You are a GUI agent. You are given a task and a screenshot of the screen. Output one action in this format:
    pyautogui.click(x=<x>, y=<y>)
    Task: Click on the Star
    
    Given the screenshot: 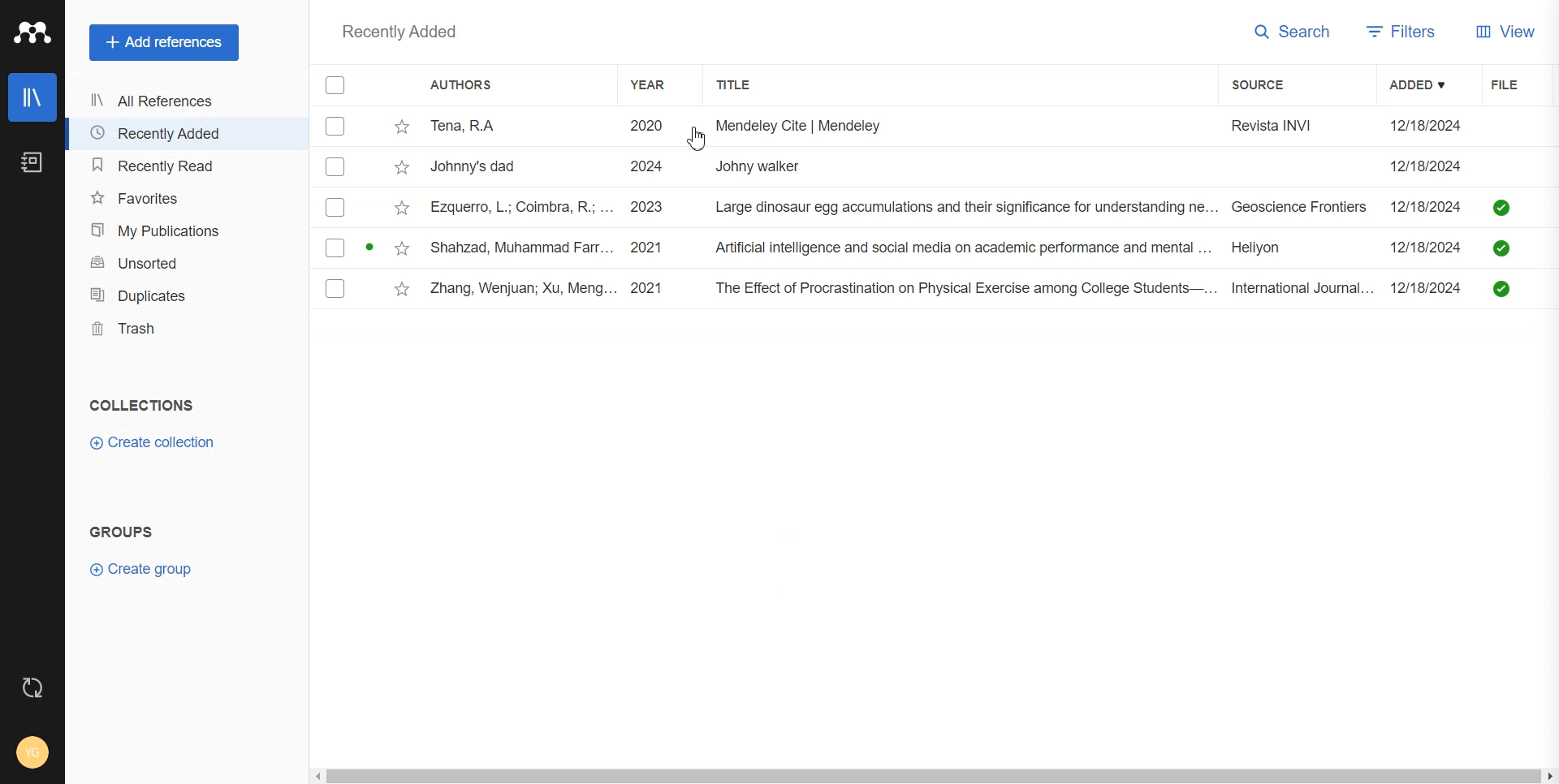 What is the action you would take?
    pyautogui.click(x=402, y=207)
    